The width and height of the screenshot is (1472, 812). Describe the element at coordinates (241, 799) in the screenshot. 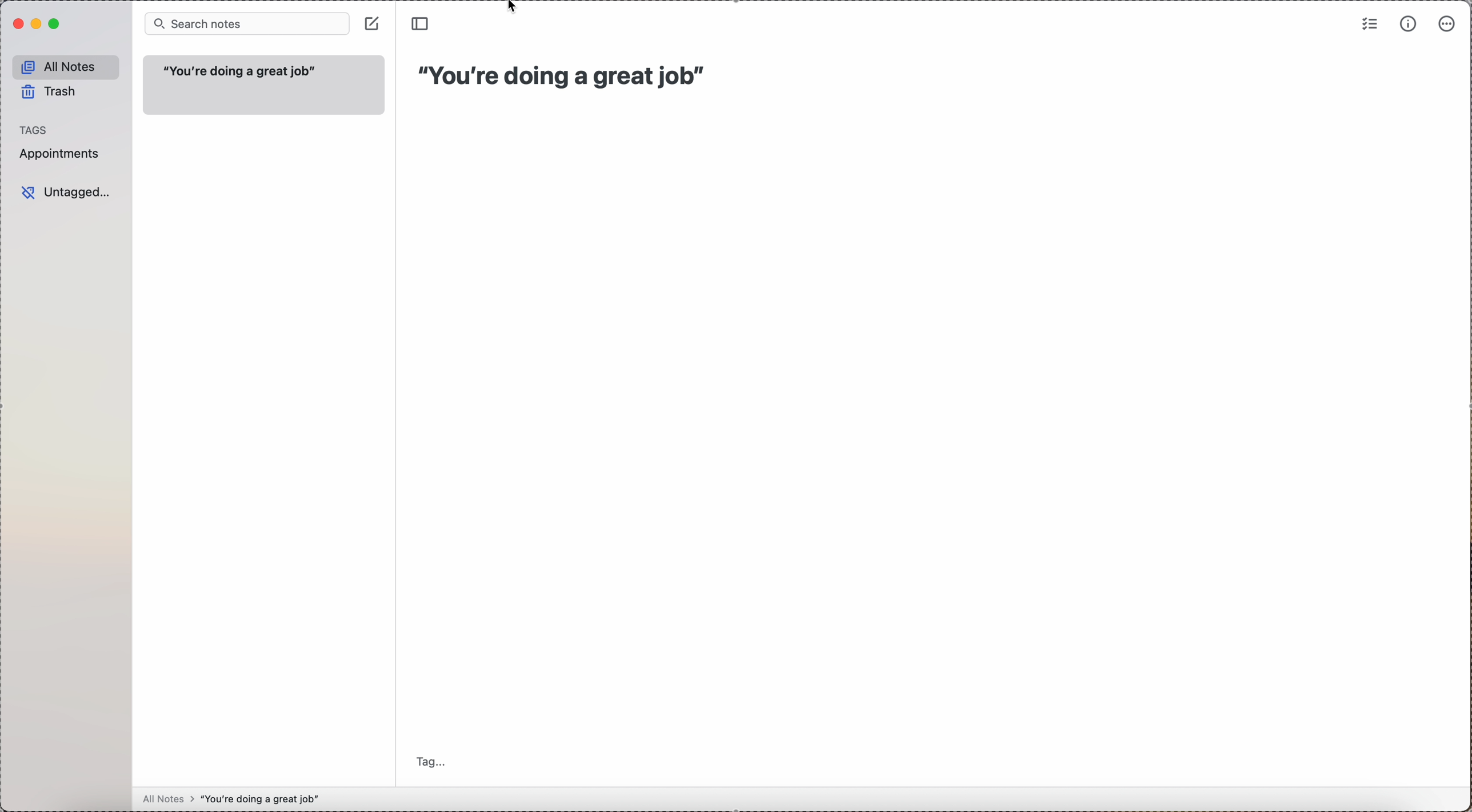

I see `all notes > "You're doing a great job"` at that location.